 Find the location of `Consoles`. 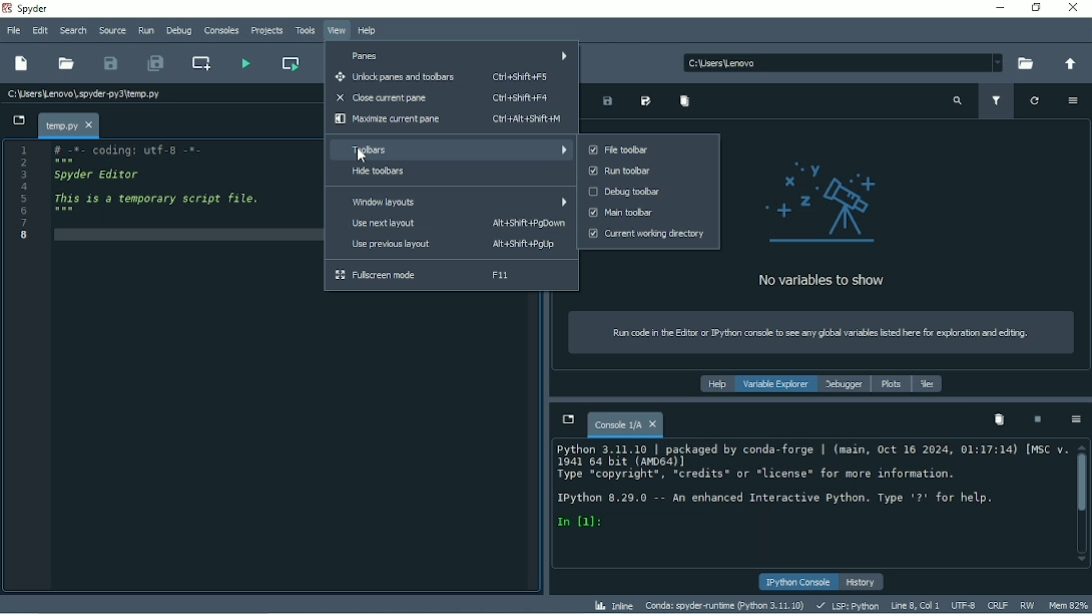

Consoles is located at coordinates (220, 31).